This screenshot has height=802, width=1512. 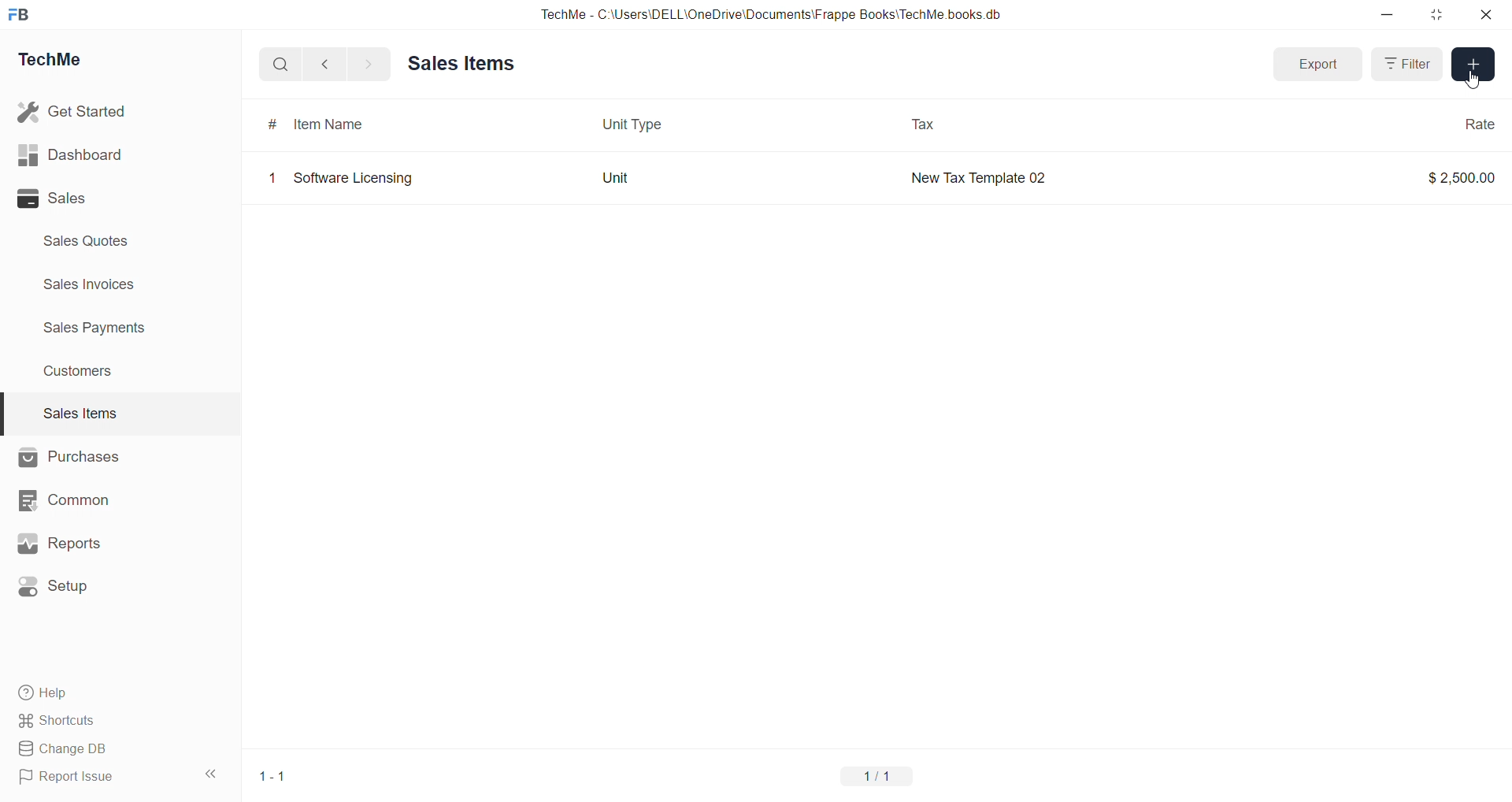 What do you see at coordinates (1474, 80) in the screenshot?
I see `cursor` at bounding box center [1474, 80].